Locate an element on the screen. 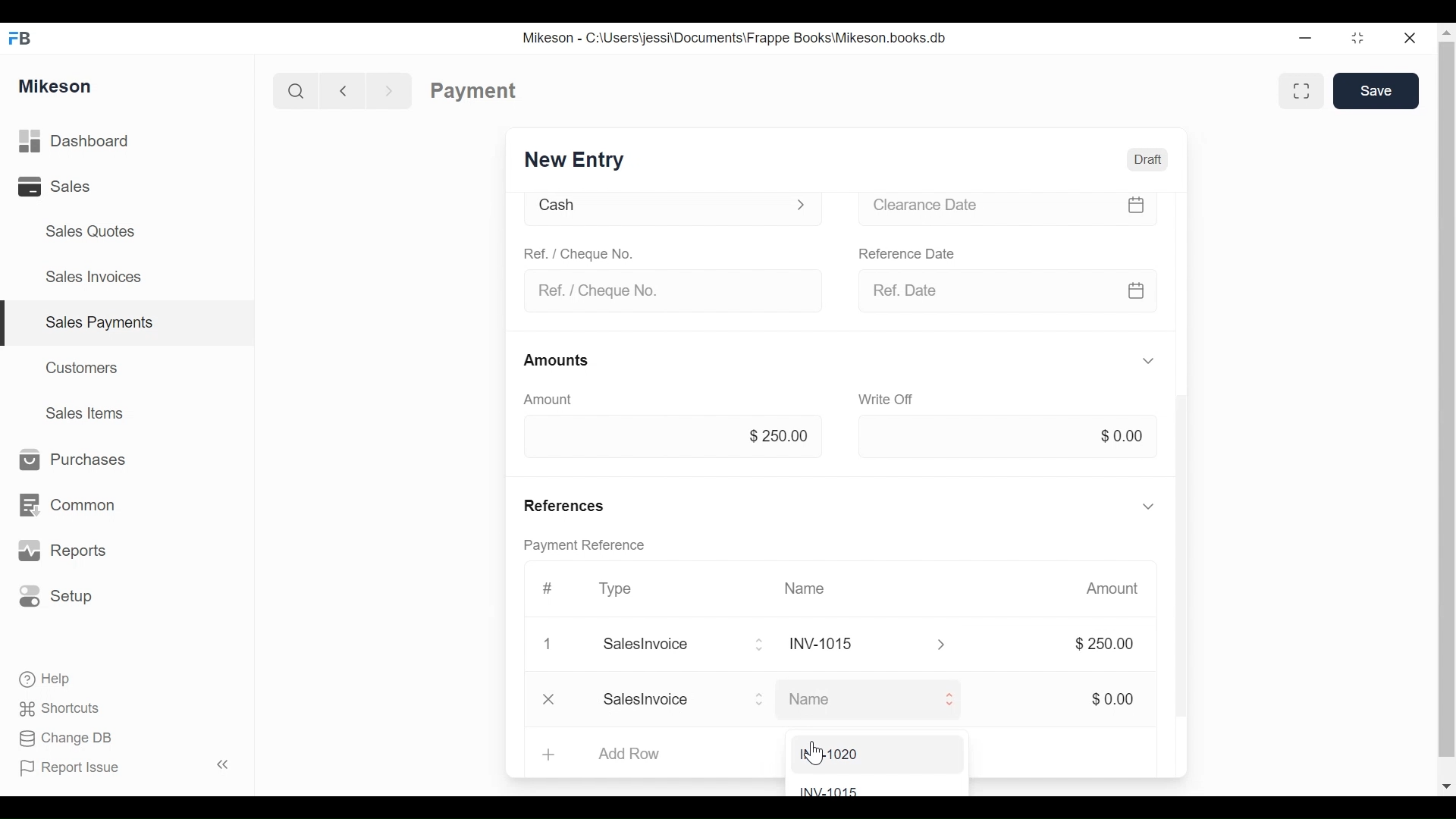 Image resolution: width=1456 pixels, height=819 pixels. Dashboard is located at coordinates (99, 142).